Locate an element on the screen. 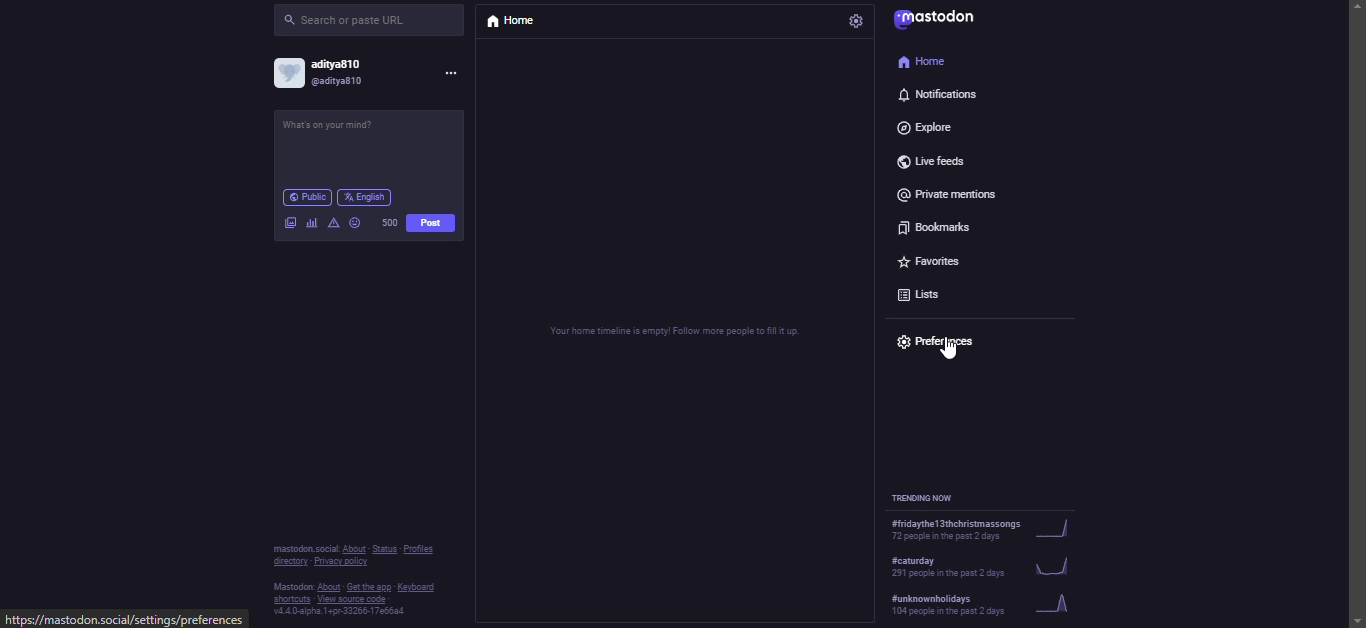 This screenshot has height=628, width=1366. trending is located at coordinates (925, 496).